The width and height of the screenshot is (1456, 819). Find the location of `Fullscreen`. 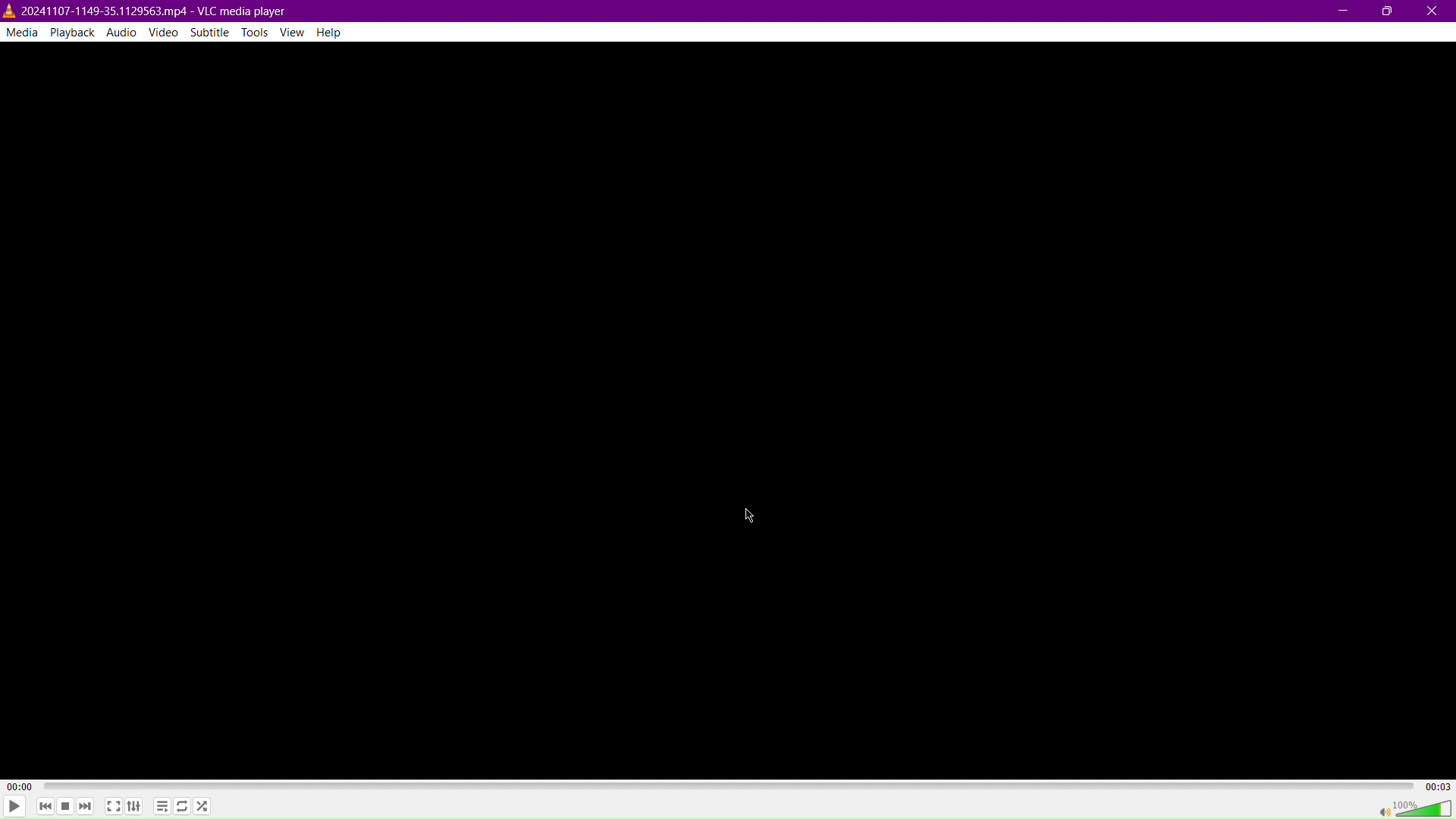

Fullscreen is located at coordinates (113, 806).